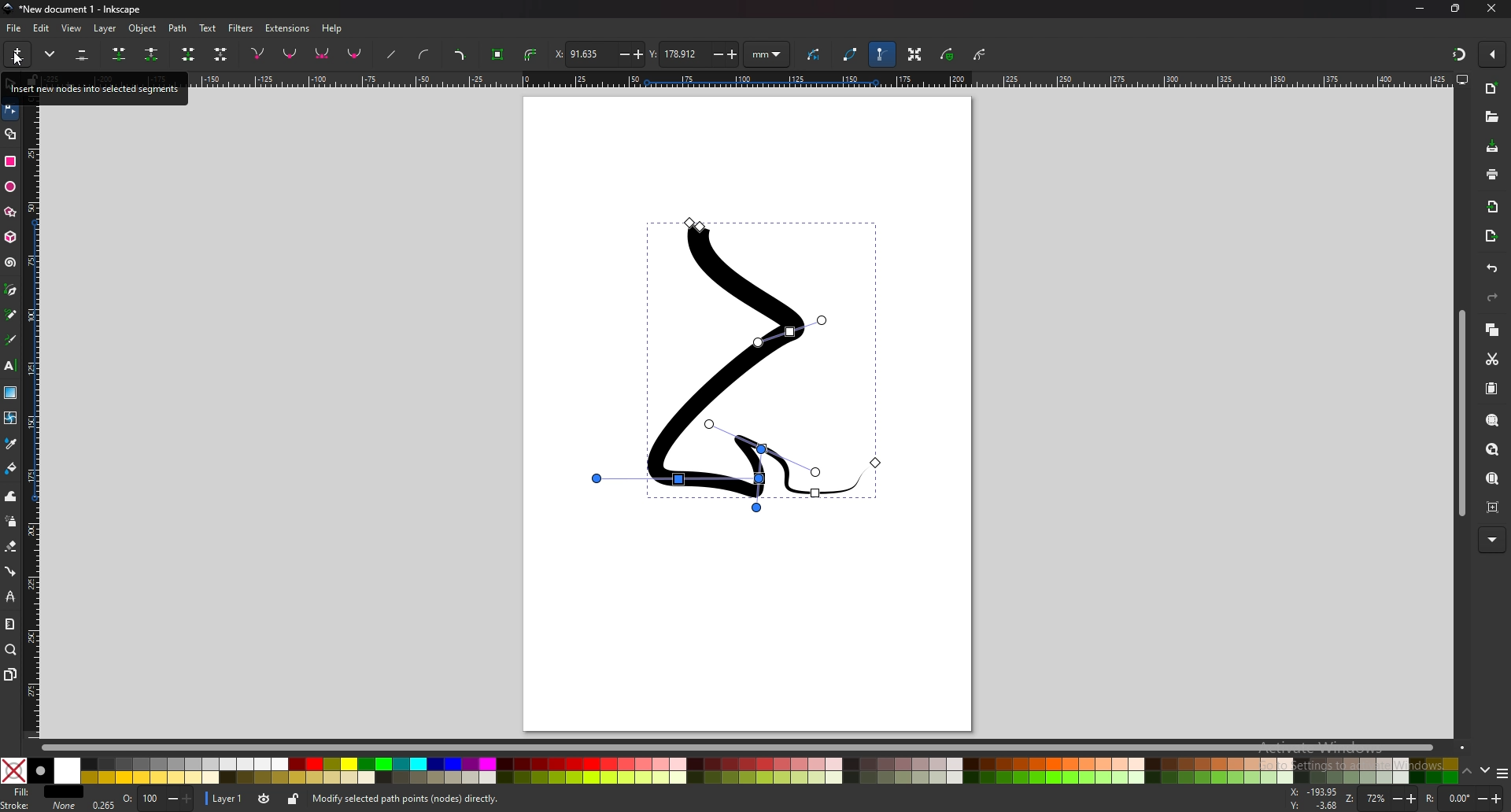 The image size is (1511, 812). Describe the element at coordinates (1491, 360) in the screenshot. I see `cut` at that location.